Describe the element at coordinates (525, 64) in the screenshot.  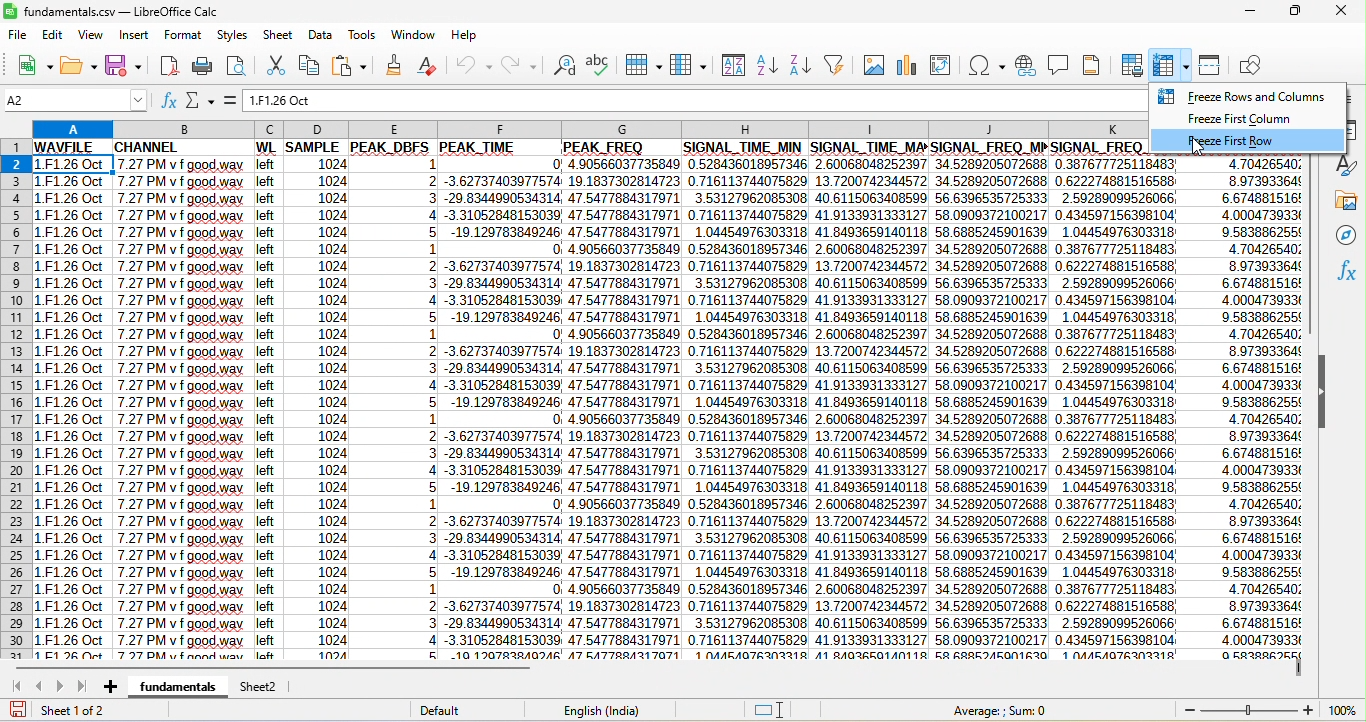
I see `redo` at that location.